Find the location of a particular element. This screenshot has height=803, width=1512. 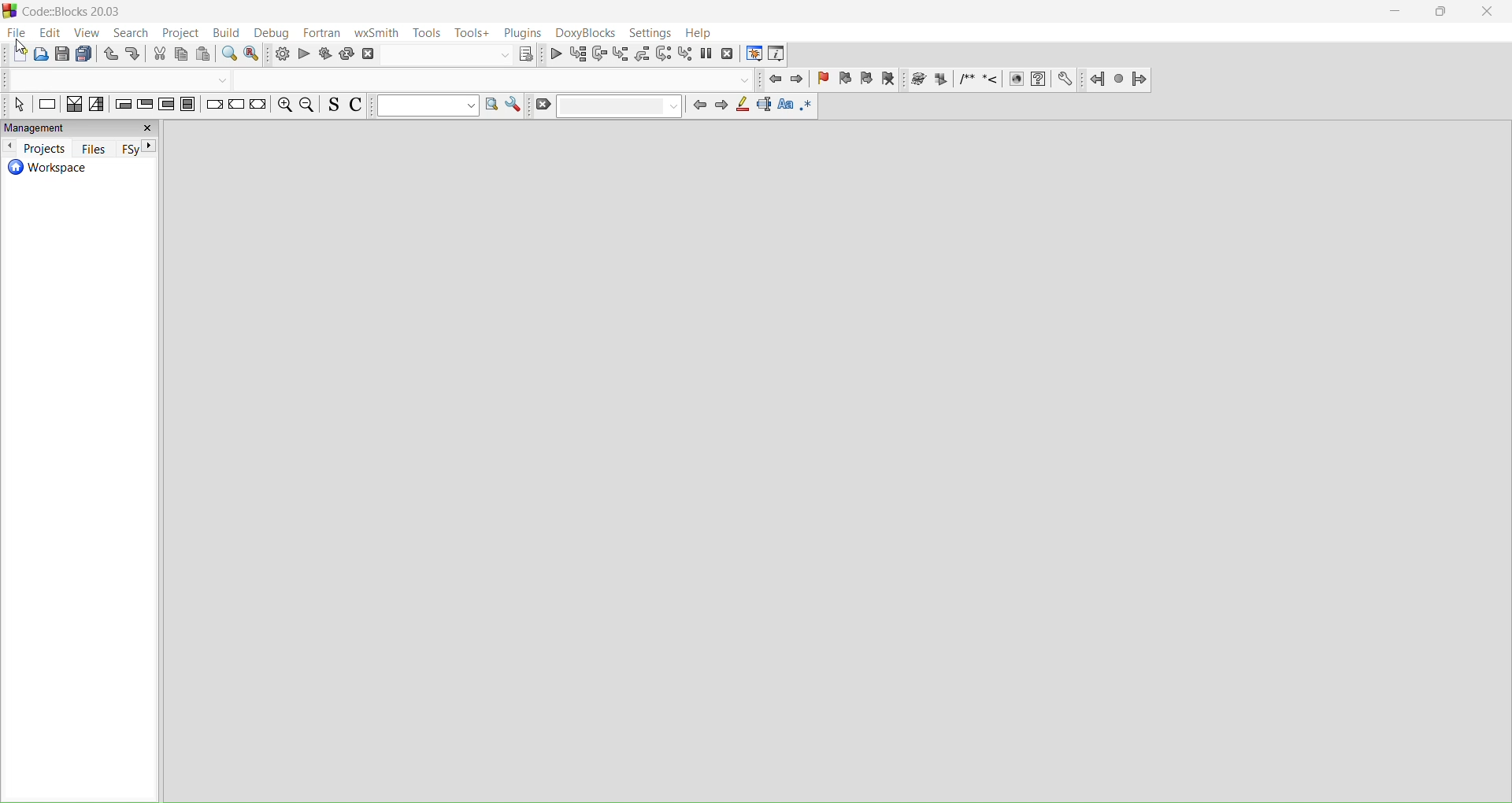

HTML help is located at coordinates (1039, 80).